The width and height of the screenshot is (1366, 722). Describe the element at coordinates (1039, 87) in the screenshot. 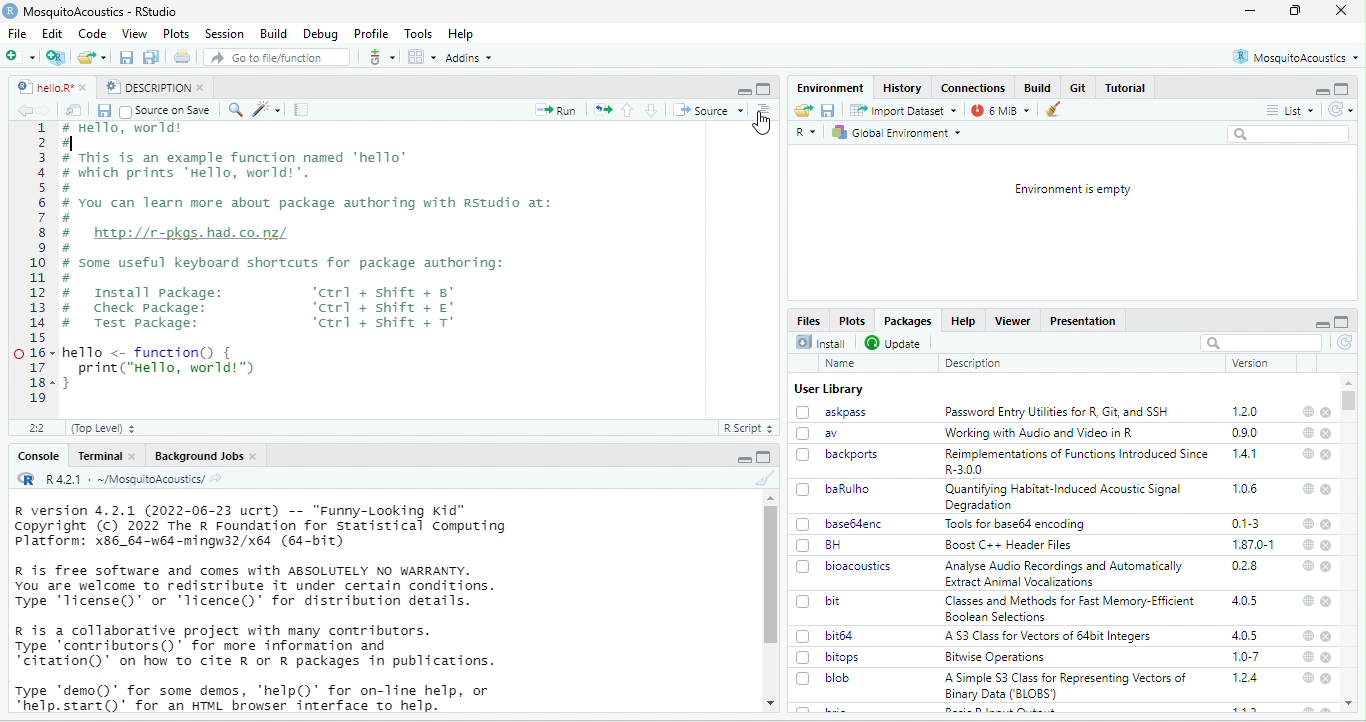

I see `Build` at that location.